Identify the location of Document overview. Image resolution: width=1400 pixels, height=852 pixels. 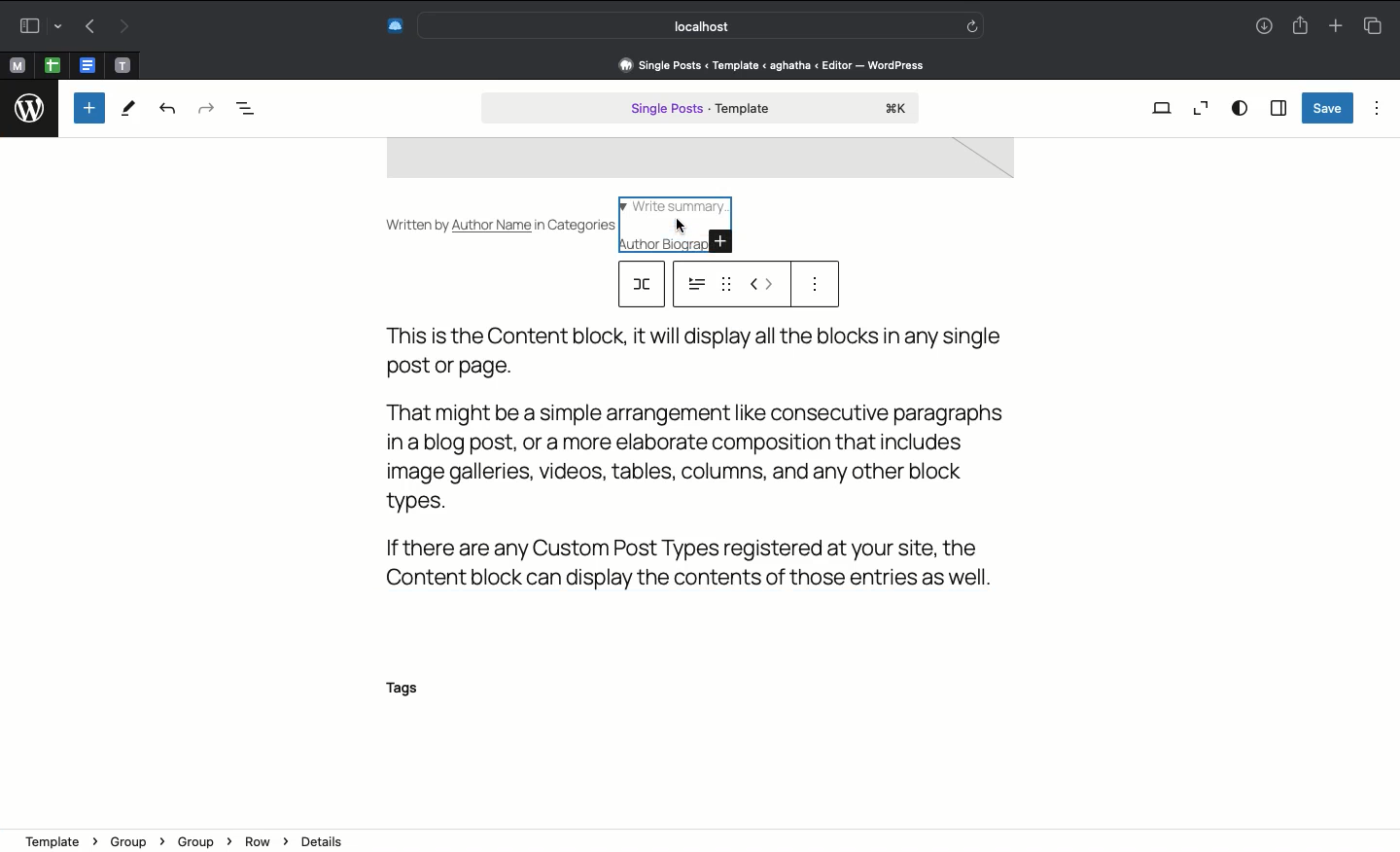
(256, 109).